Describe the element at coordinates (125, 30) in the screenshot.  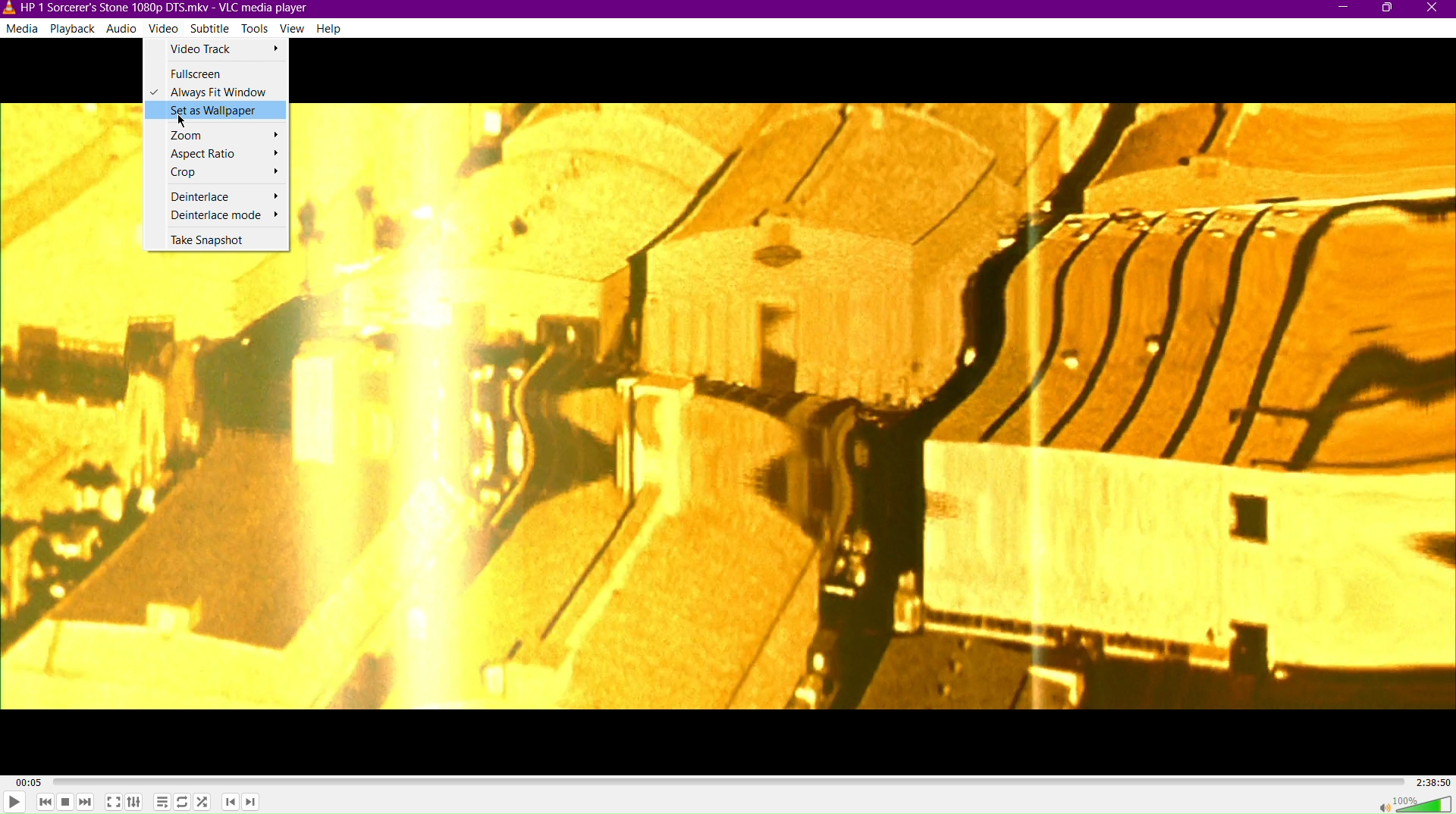
I see `Audio` at that location.